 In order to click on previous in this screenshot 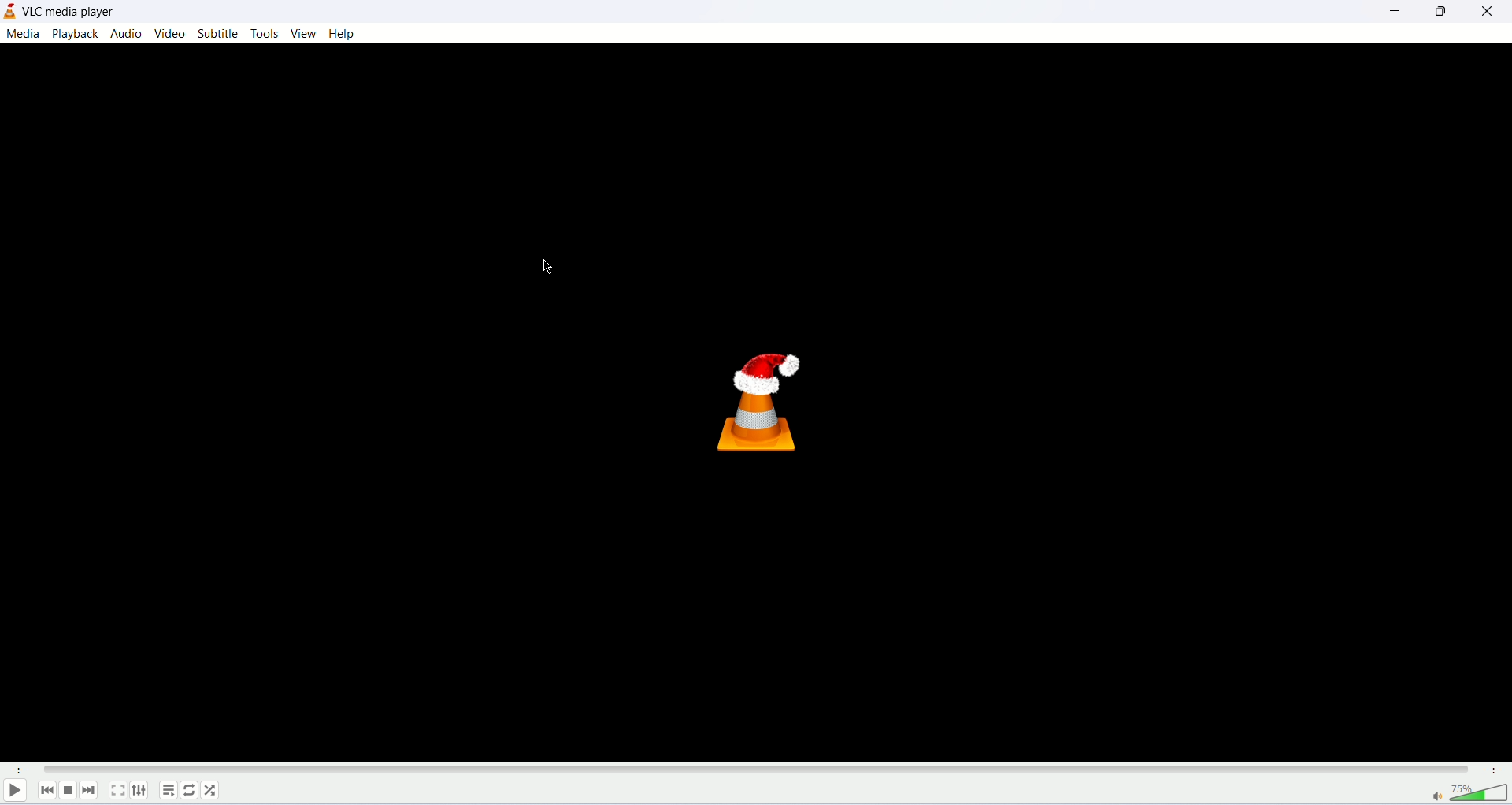, I will do `click(45, 791)`.